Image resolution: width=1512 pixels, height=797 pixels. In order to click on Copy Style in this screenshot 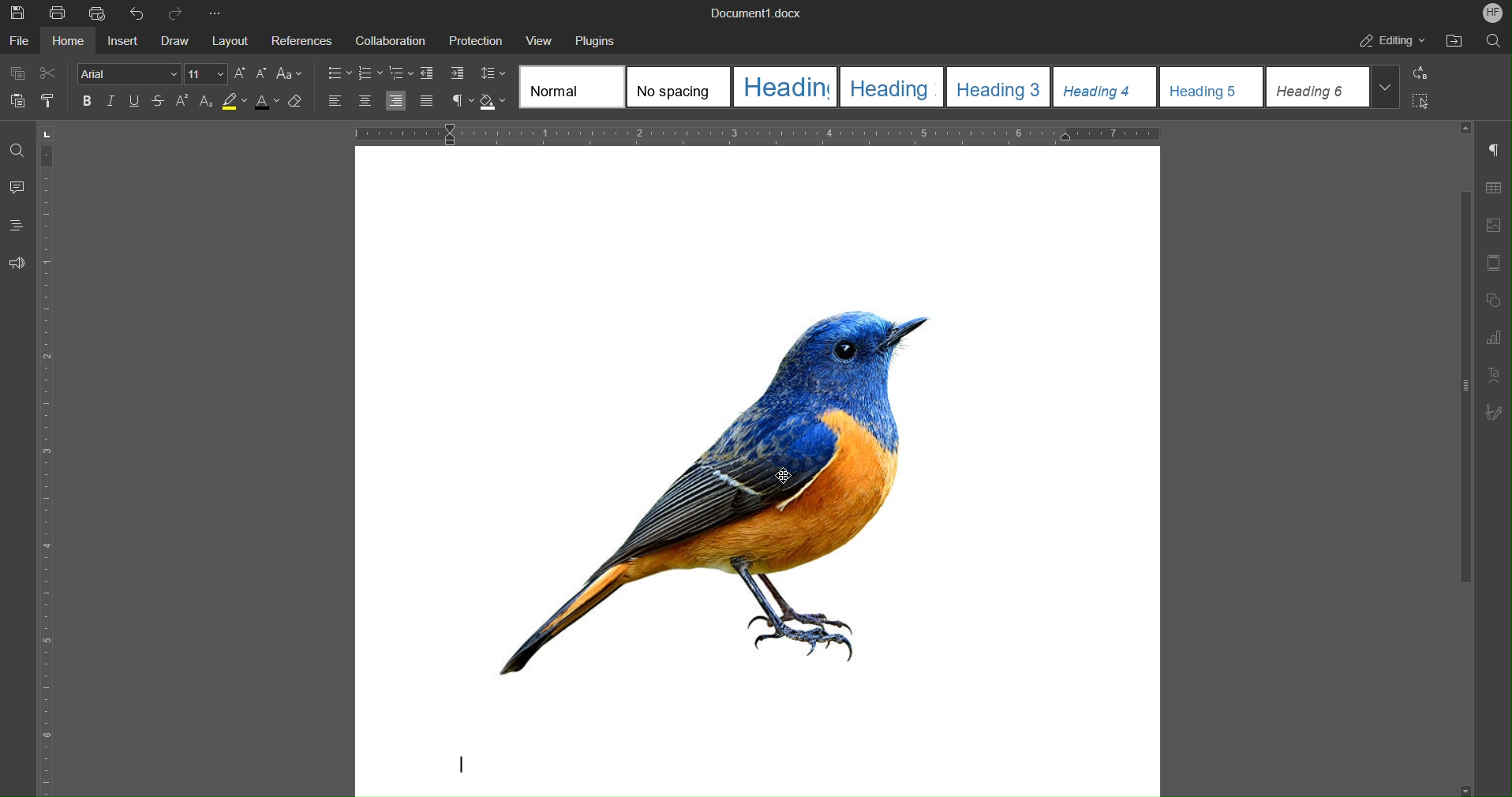, I will do `click(51, 100)`.